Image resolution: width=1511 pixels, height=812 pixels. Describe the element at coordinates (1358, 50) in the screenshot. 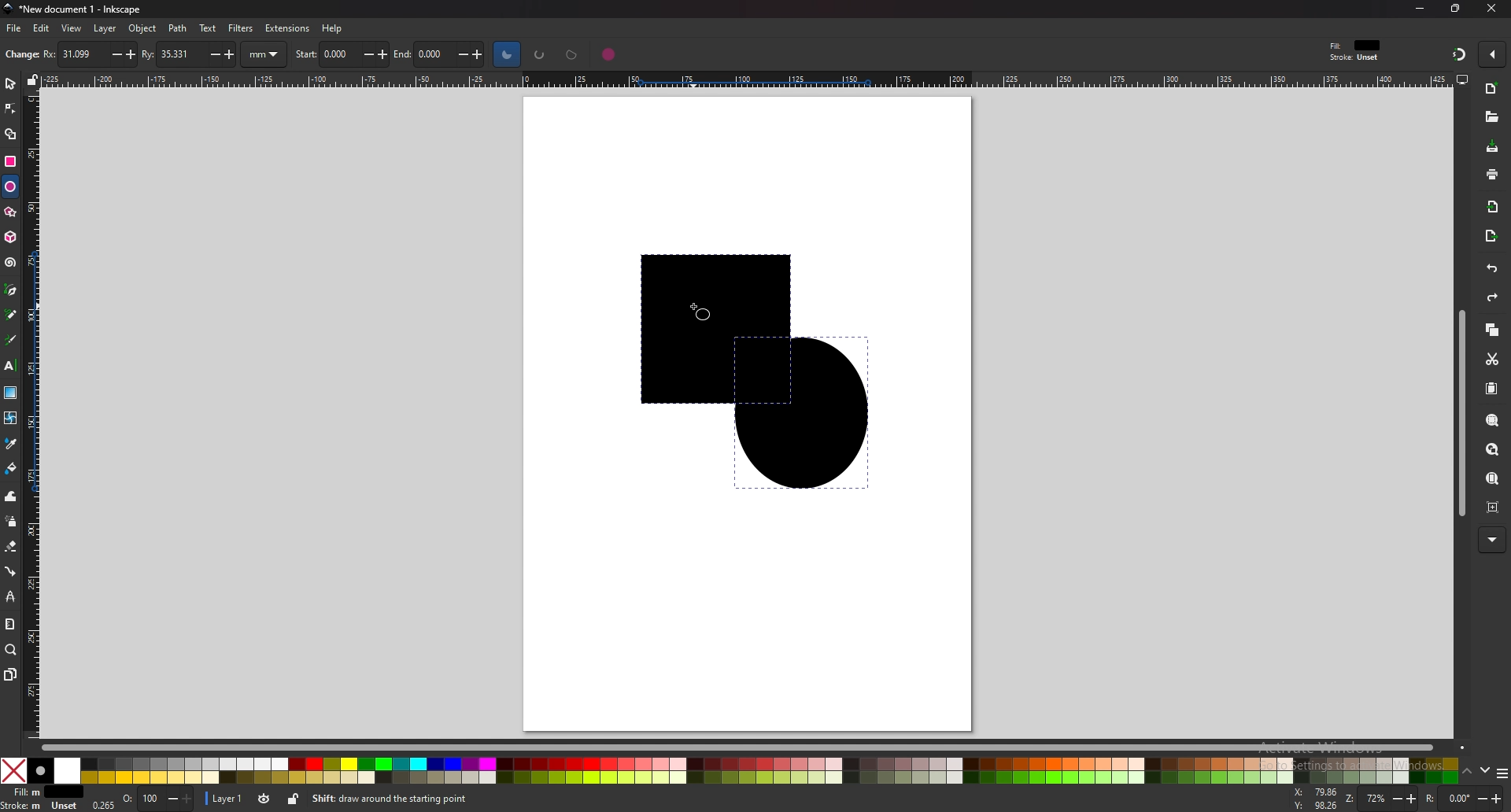

I see `style` at that location.